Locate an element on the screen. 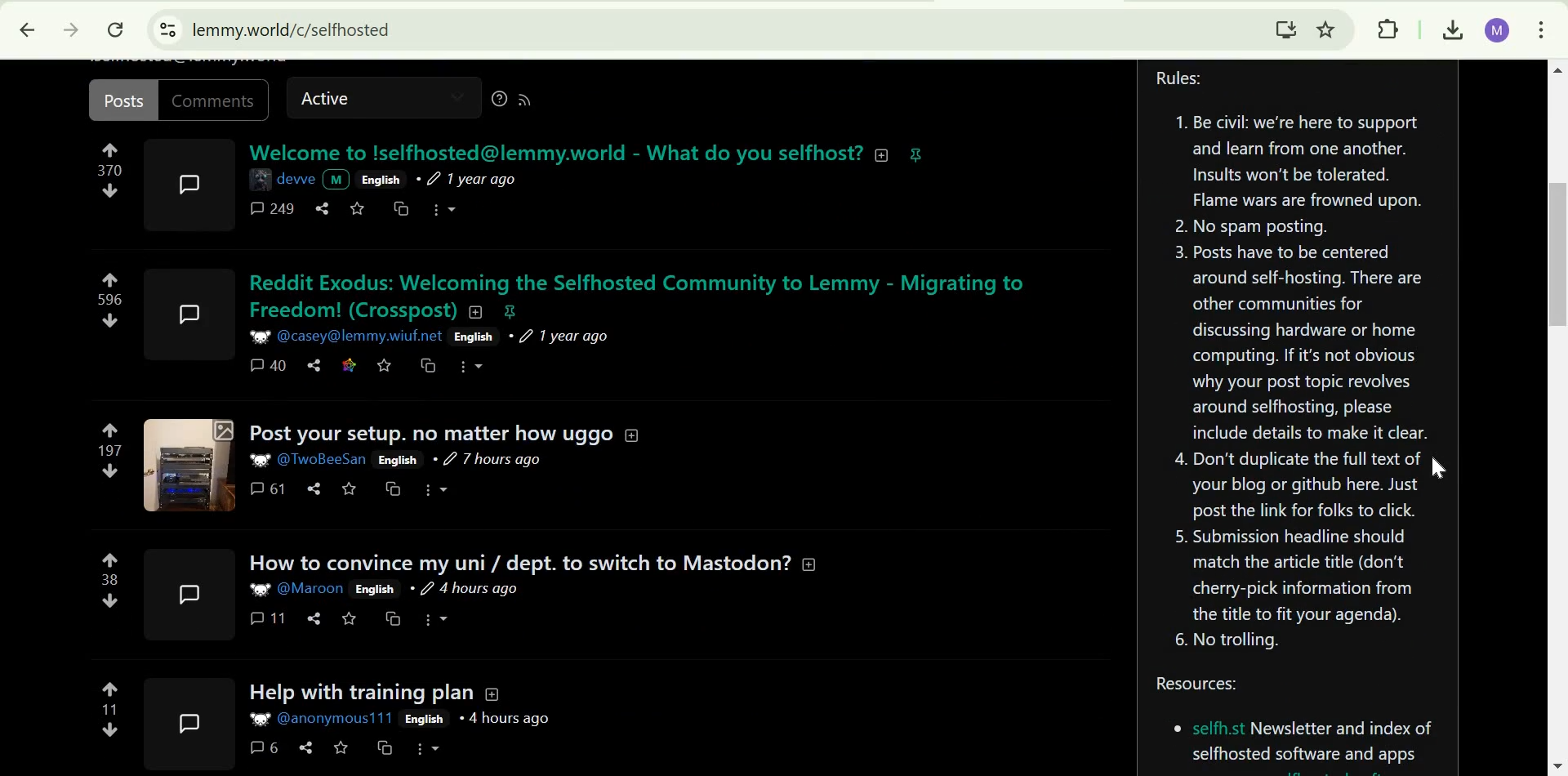 Image resolution: width=1568 pixels, height=776 pixels. english is located at coordinates (381, 179).